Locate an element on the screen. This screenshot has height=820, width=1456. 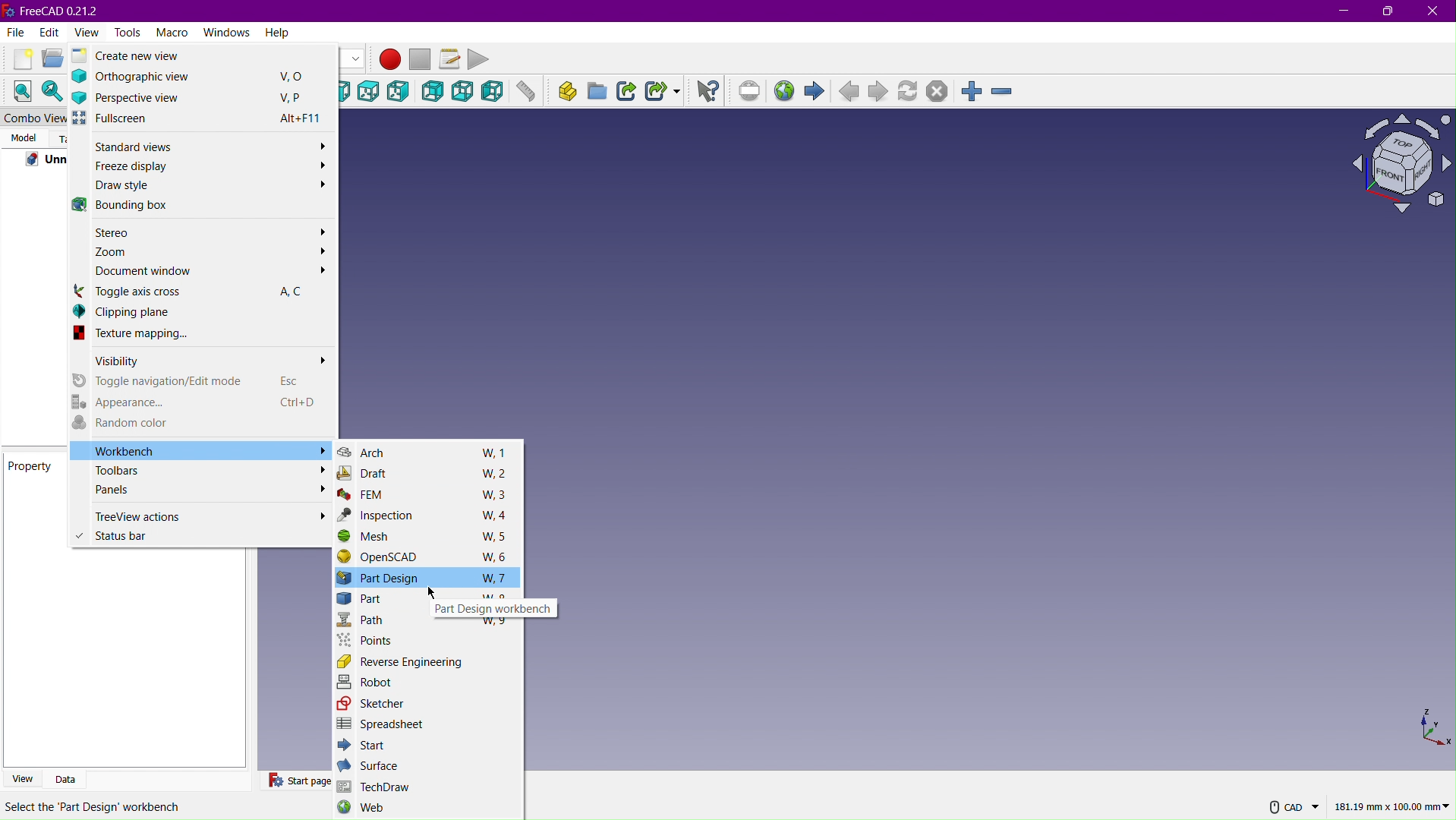
Data is located at coordinates (73, 778).